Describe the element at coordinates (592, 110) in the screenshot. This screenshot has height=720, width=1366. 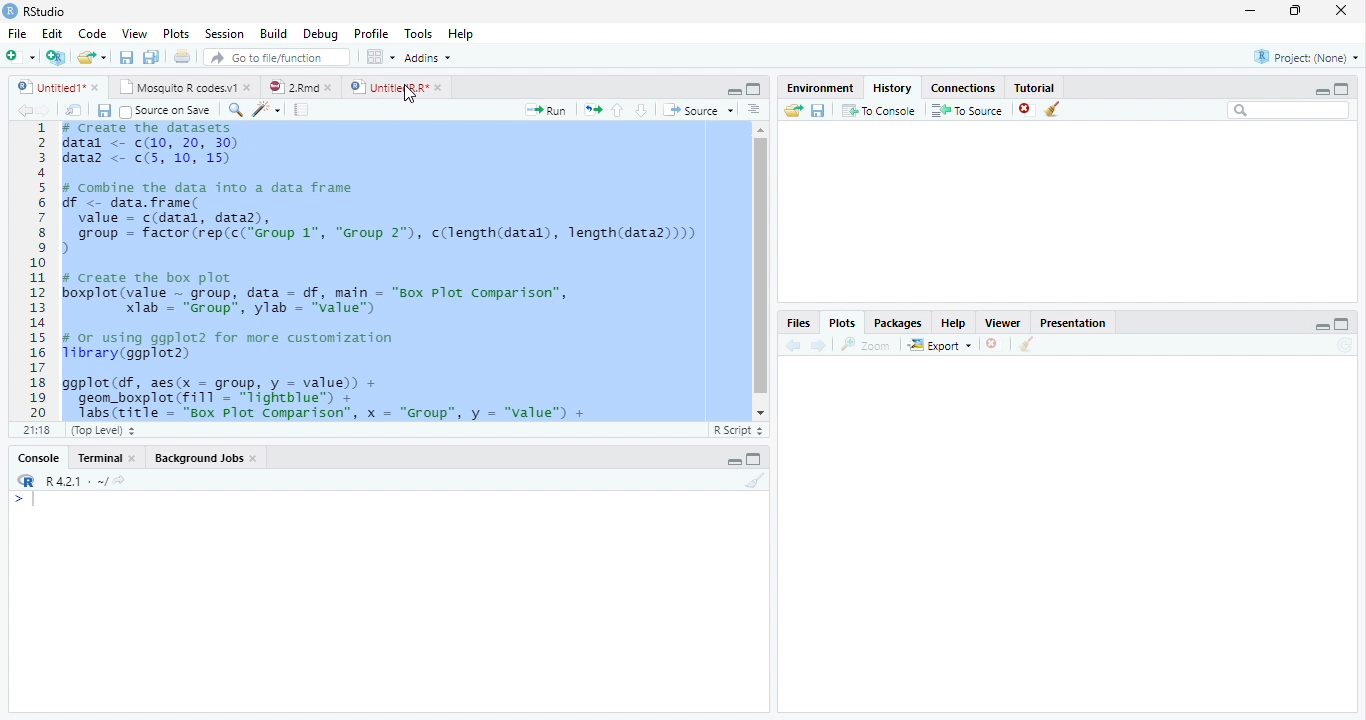
I see `Re-run the previous code region` at that location.